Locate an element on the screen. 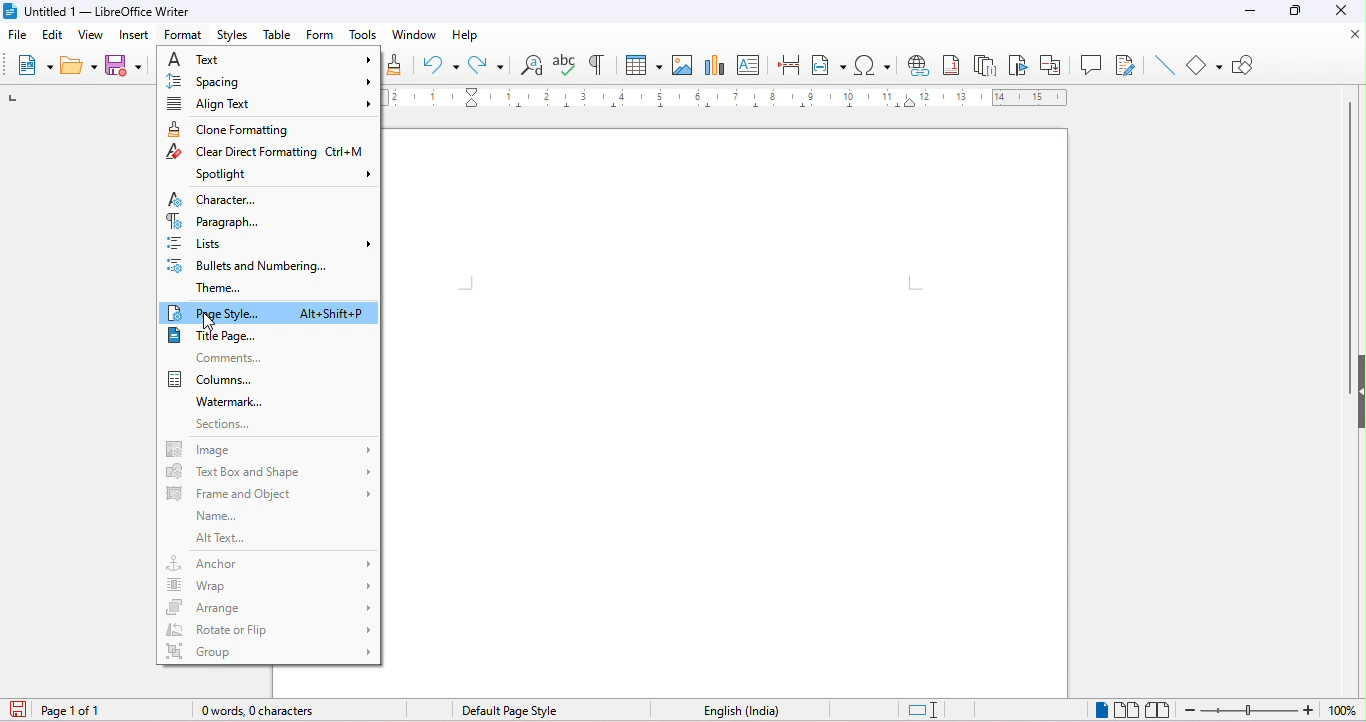 This screenshot has height=722, width=1366. clone formatting is located at coordinates (396, 63).